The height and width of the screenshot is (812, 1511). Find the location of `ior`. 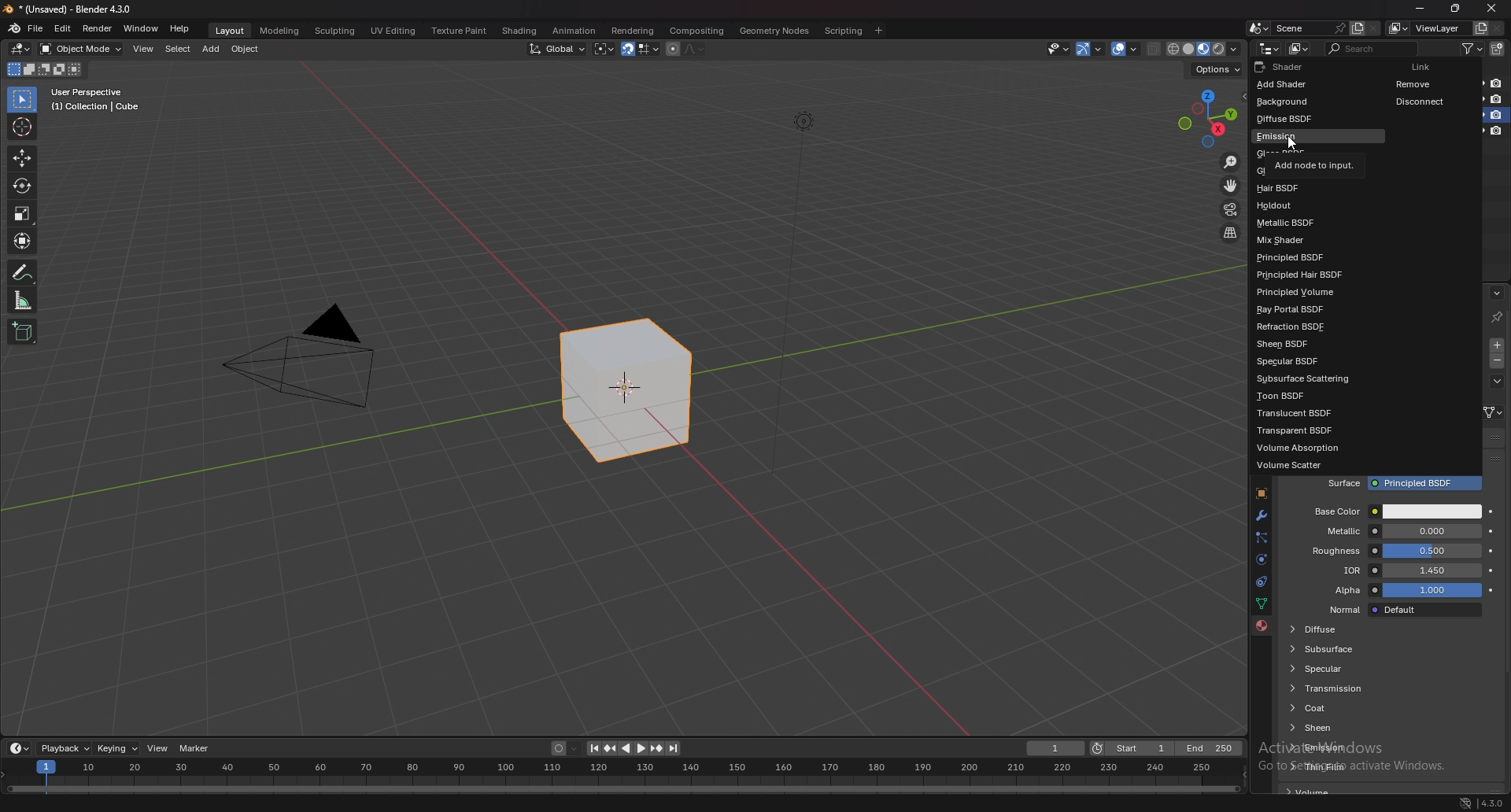

ior is located at coordinates (1400, 570).